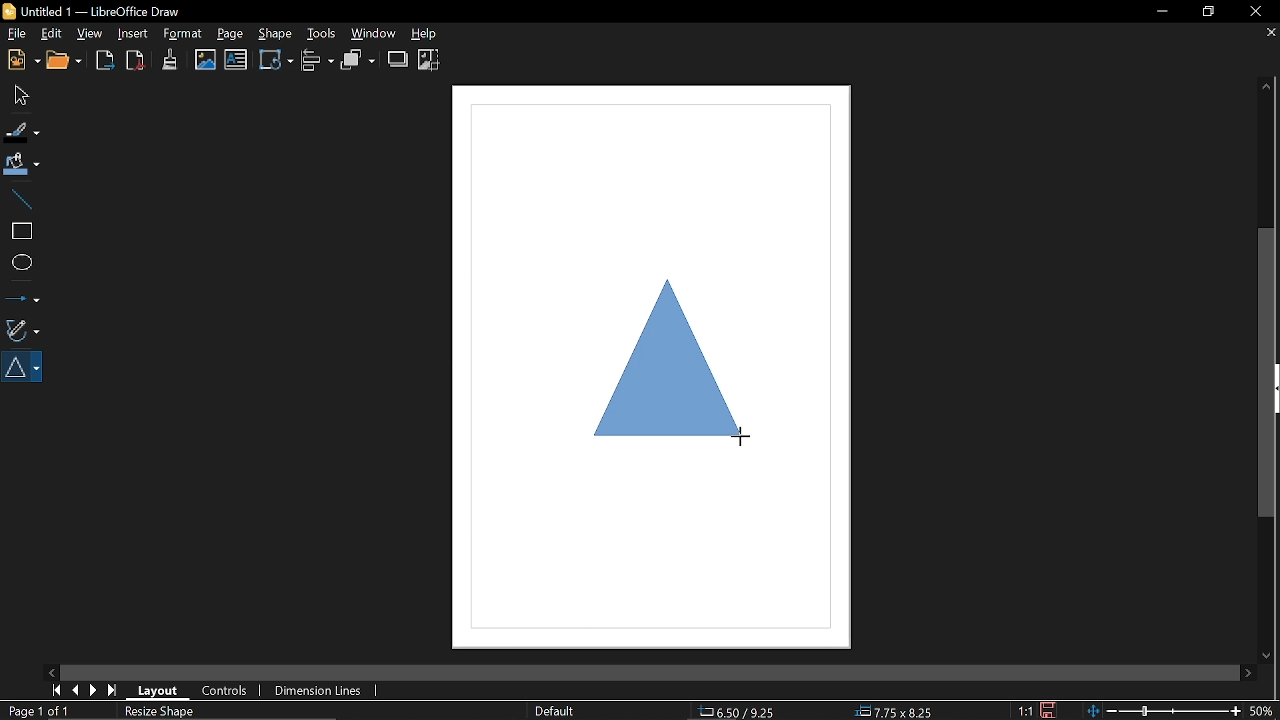  I want to click on Zoom, so click(1263, 710).